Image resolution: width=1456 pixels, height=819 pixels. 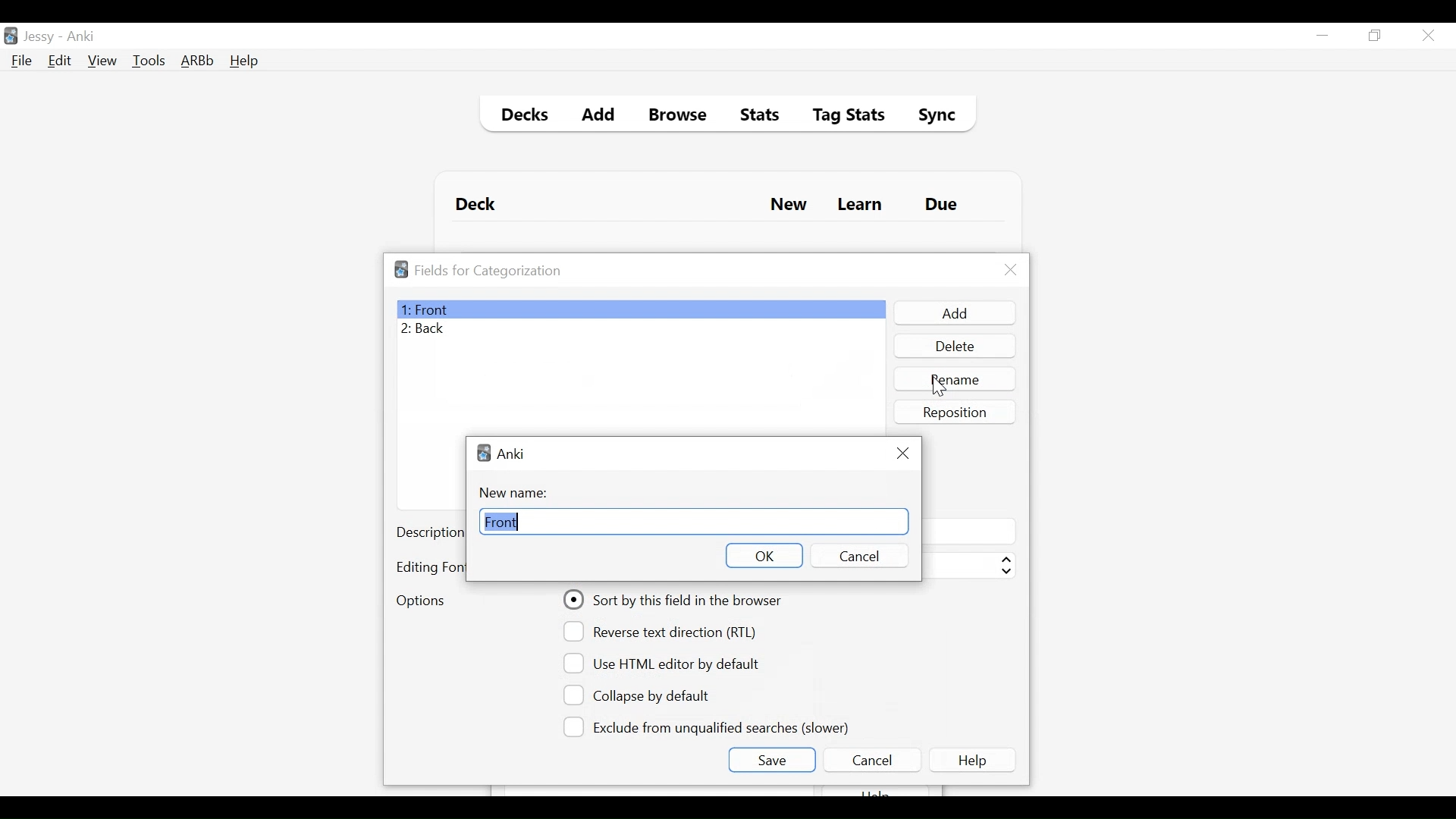 I want to click on Tools, so click(x=149, y=60).